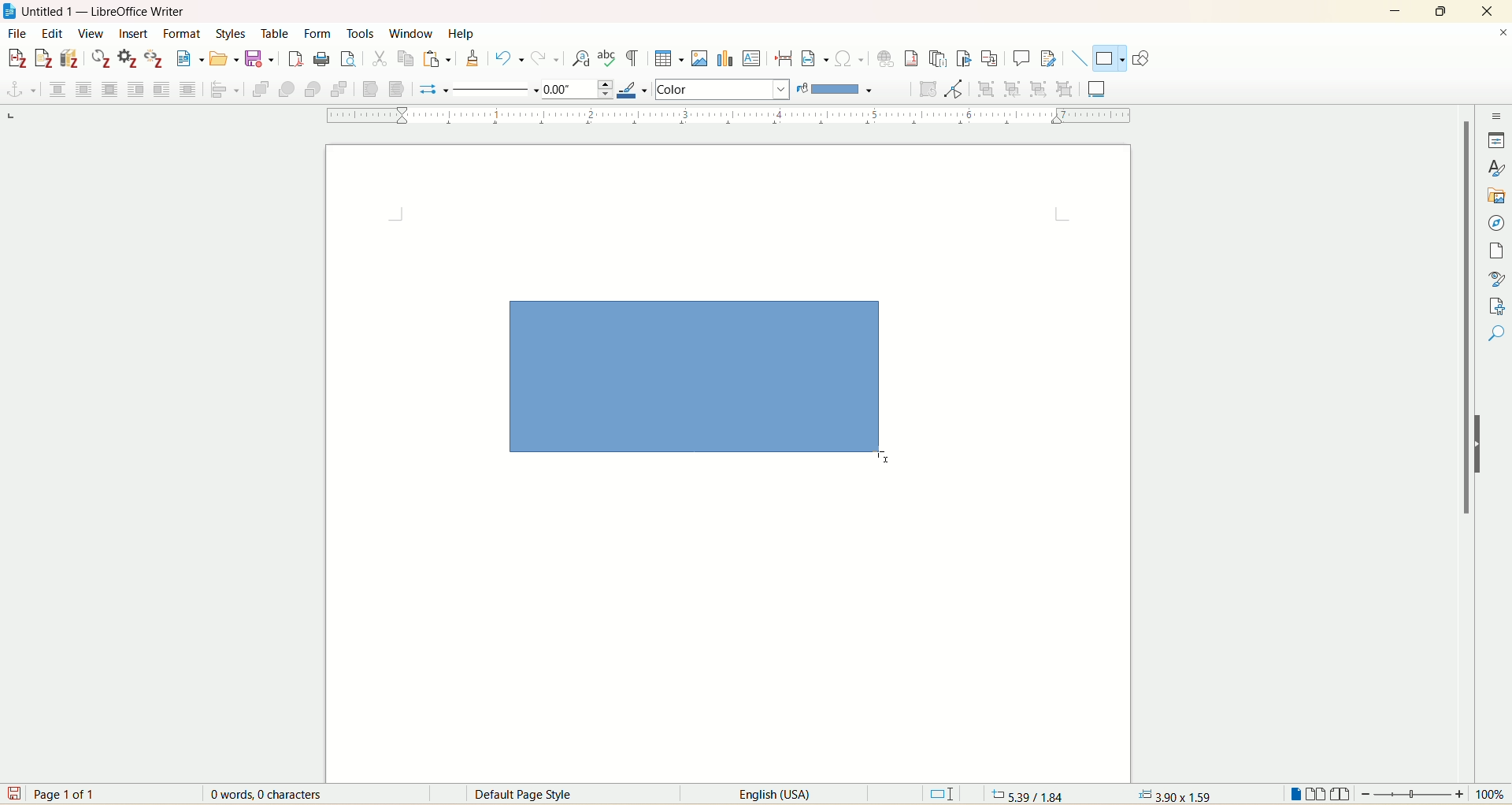 This screenshot has height=805, width=1512. I want to click on sidebar settings, so click(1497, 114).